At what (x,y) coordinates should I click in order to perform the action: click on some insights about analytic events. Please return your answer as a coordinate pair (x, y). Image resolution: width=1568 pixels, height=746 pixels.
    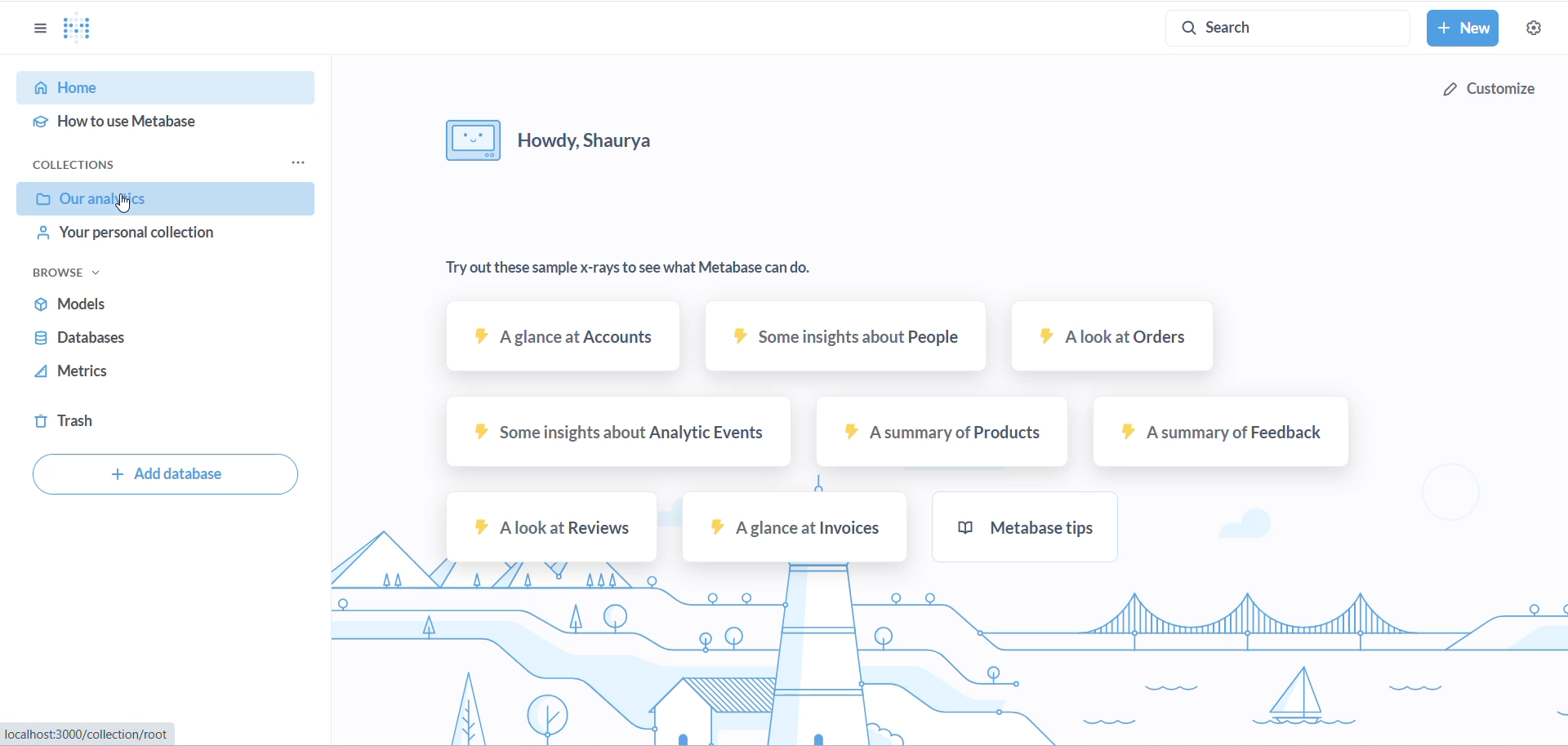
    Looking at the image, I should click on (610, 438).